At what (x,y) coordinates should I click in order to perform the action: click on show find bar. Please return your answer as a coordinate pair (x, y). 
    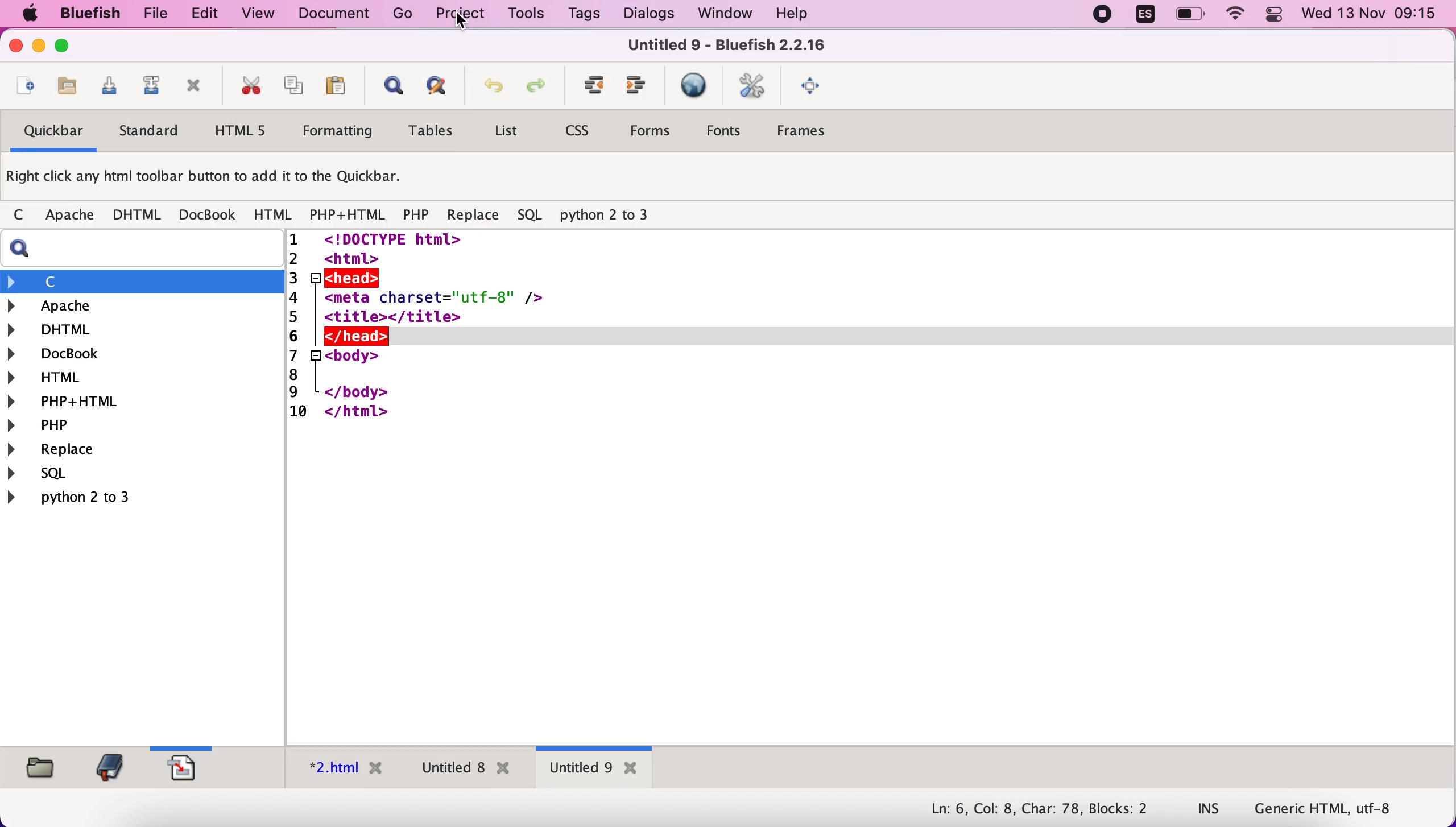
    Looking at the image, I should click on (388, 89).